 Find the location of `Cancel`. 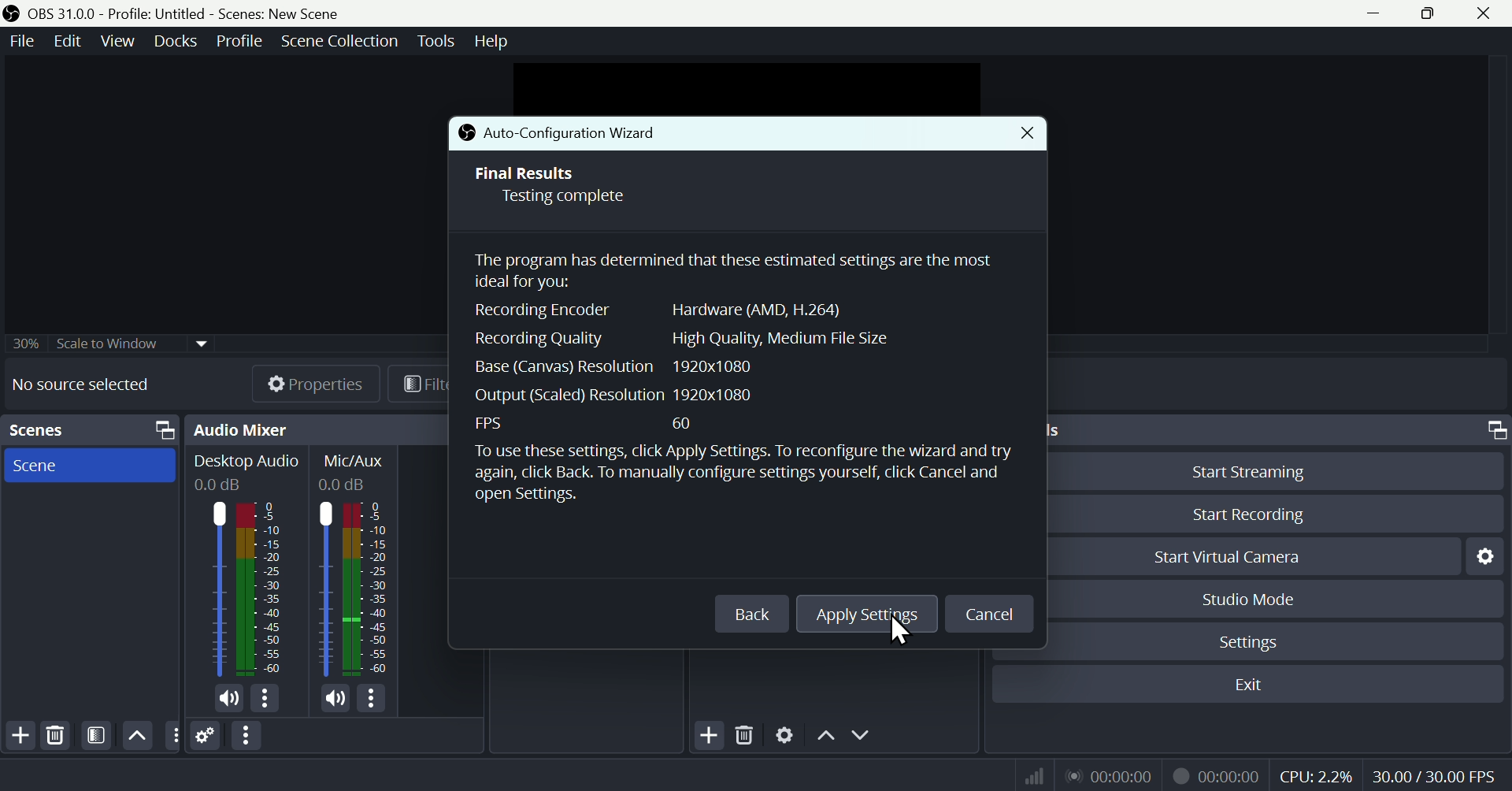

Cancel is located at coordinates (988, 615).